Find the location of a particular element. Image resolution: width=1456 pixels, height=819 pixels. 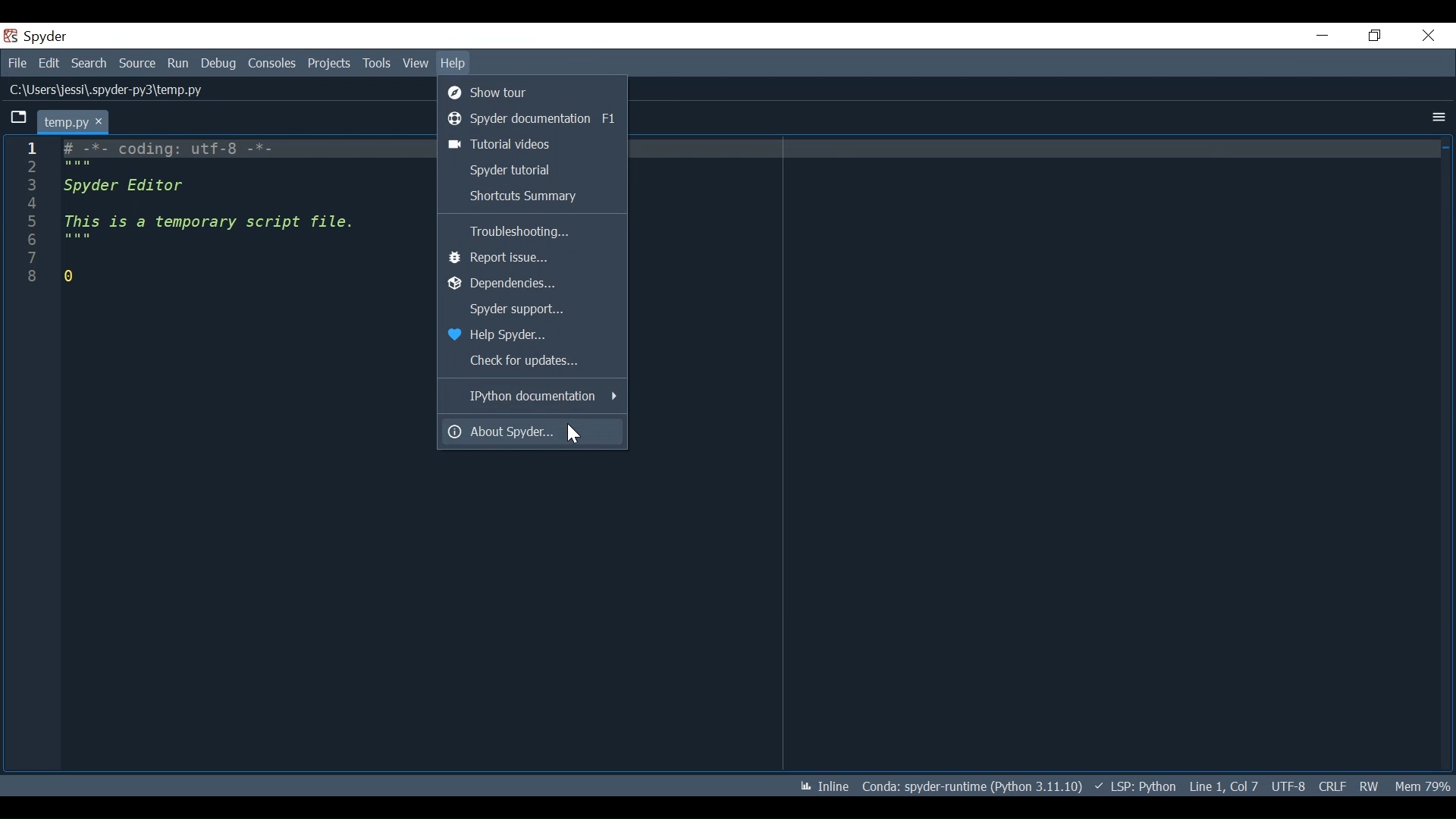

C:\Users\jessi\.spyder-py3\temp.py is located at coordinates (124, 91).